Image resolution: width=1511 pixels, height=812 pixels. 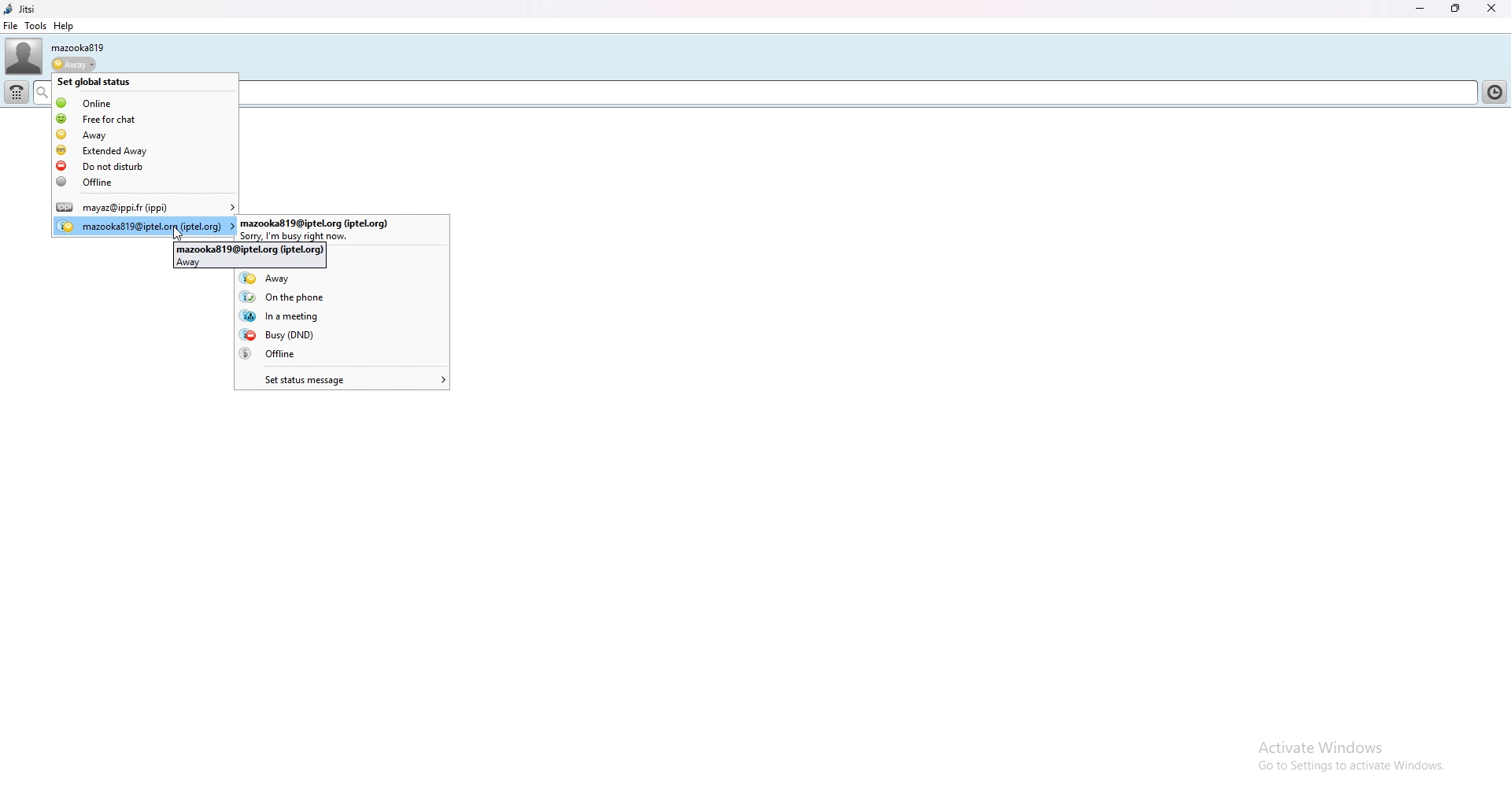 What do you see at coordinates (24, 57) in the screenshot?
I see `user photo` at bounding box center [24, 57].